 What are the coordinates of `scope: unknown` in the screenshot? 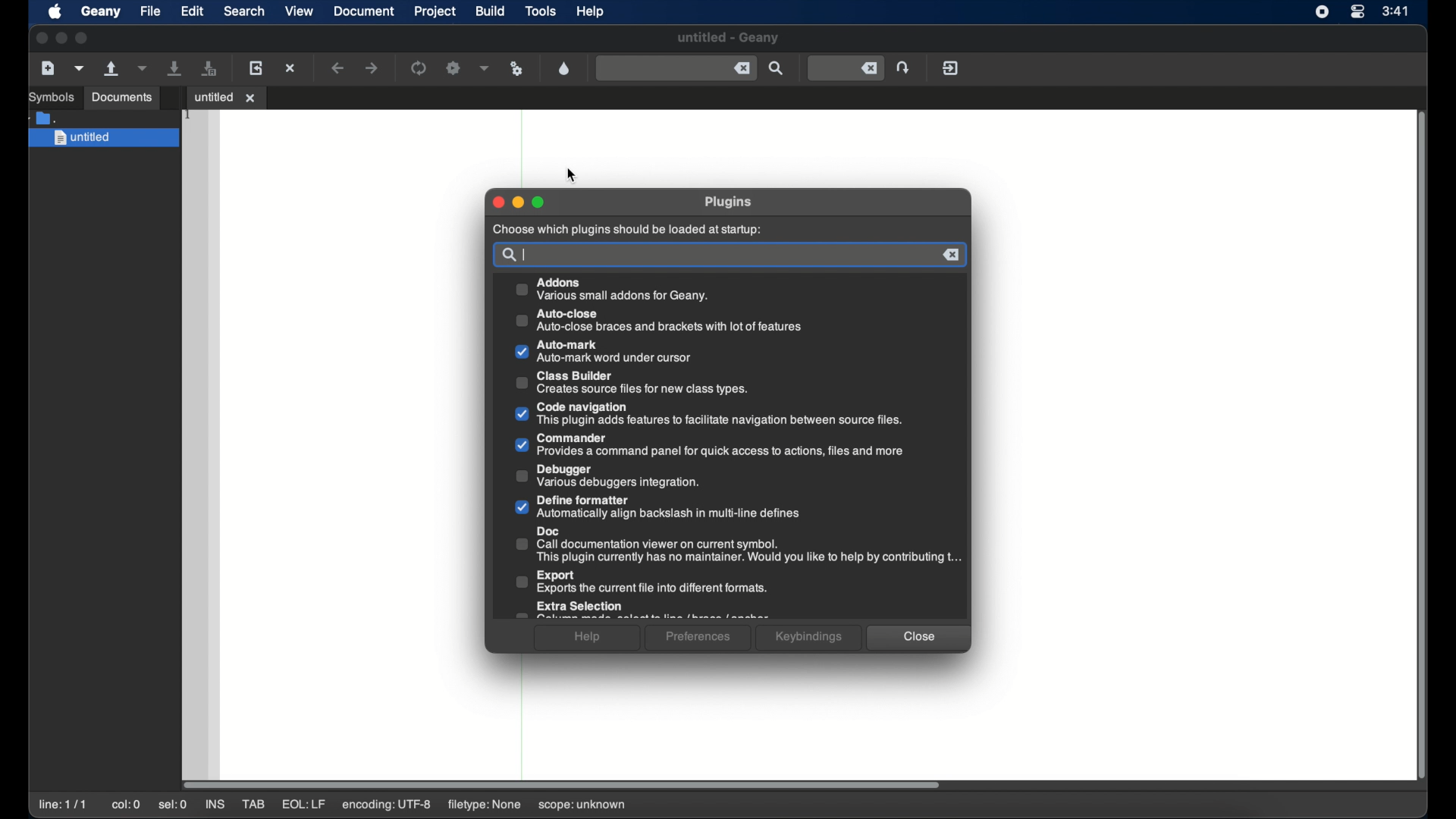 It's located at (582, 805).